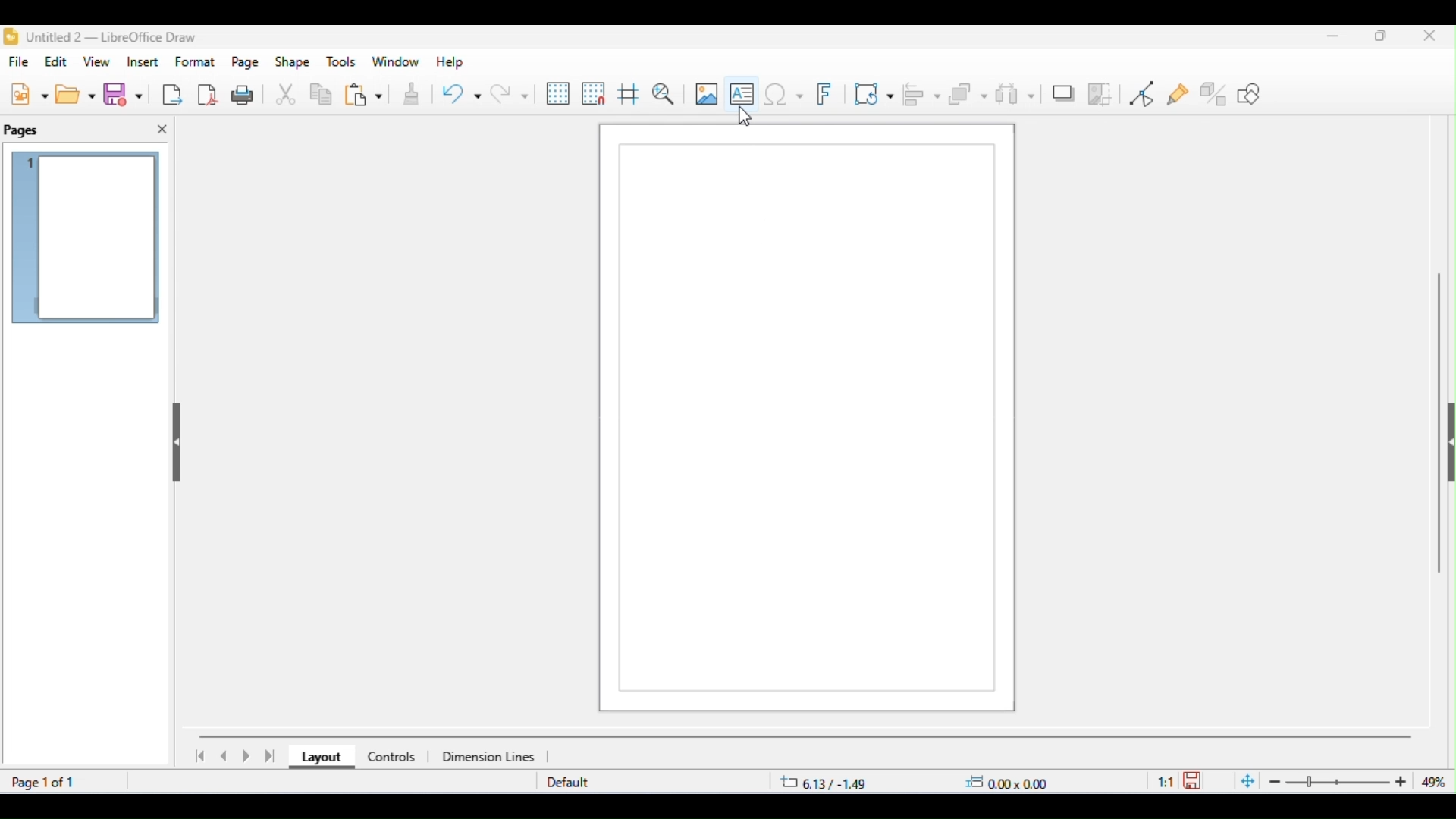 The image size is (1456, 819). I want to click on layout, so click(318, 758).